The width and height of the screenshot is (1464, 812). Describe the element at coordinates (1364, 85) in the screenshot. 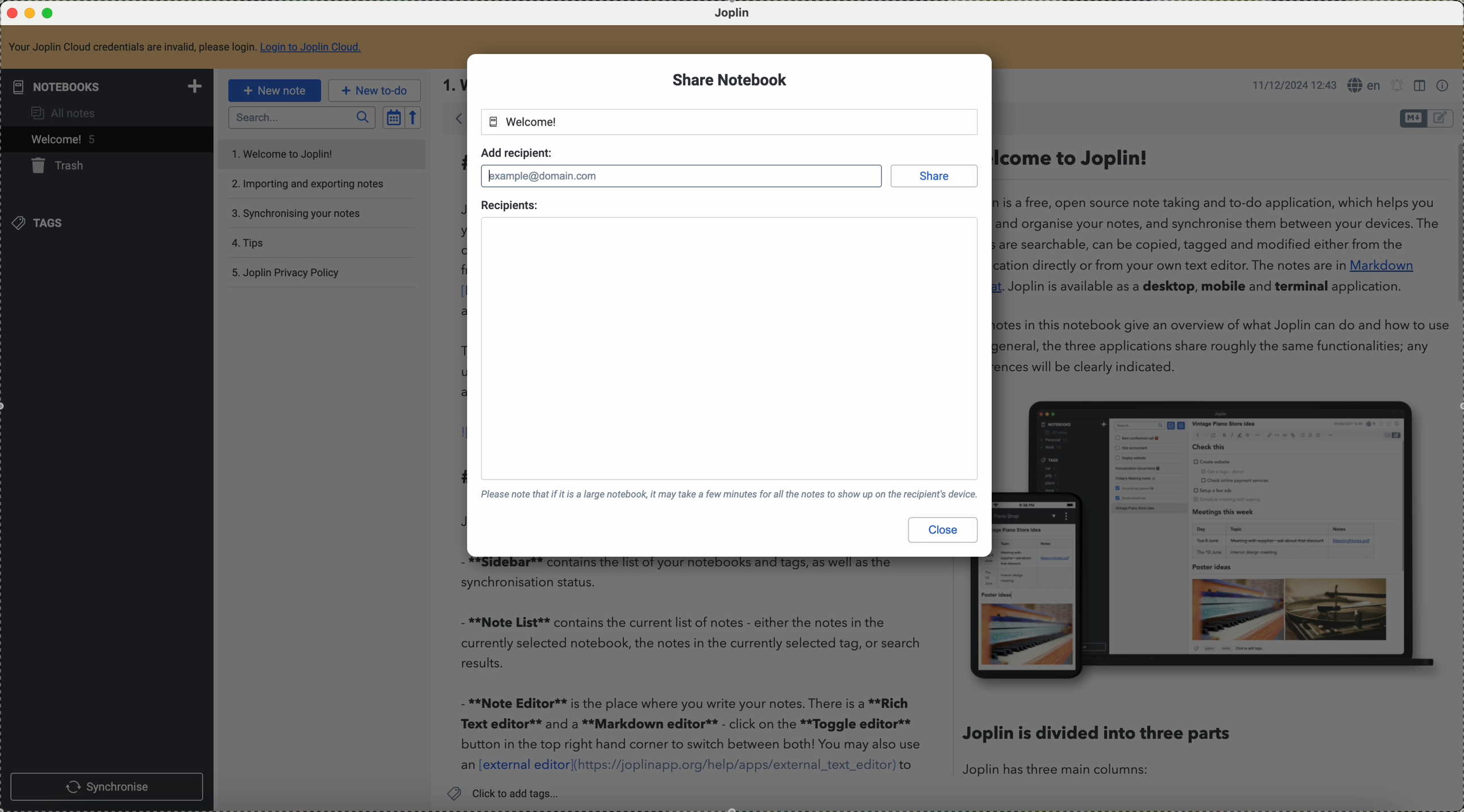

I see `language` at that location.